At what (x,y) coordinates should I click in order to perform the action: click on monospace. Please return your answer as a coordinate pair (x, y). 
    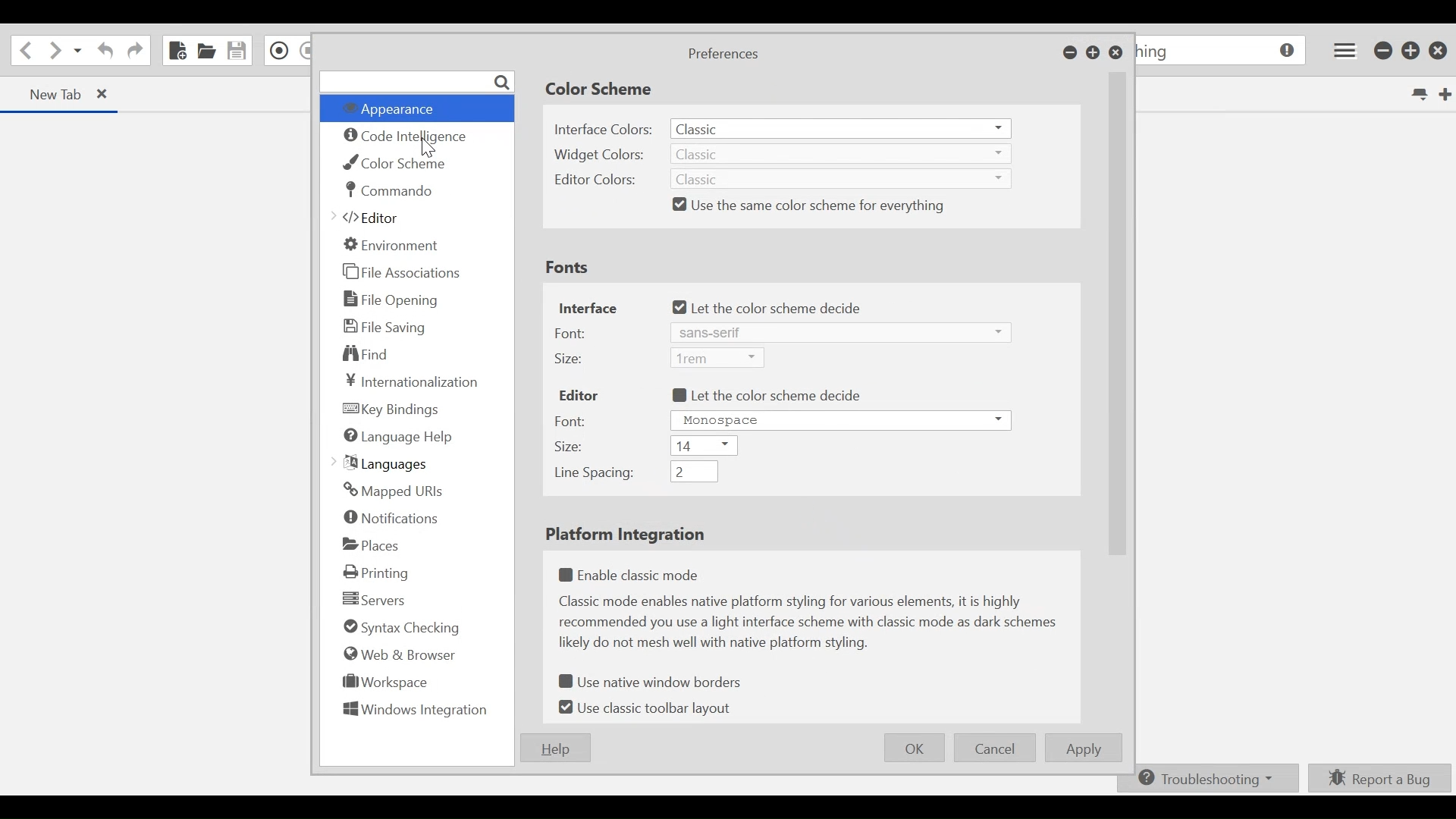
    Looking at the image, I should click on (840, 420).